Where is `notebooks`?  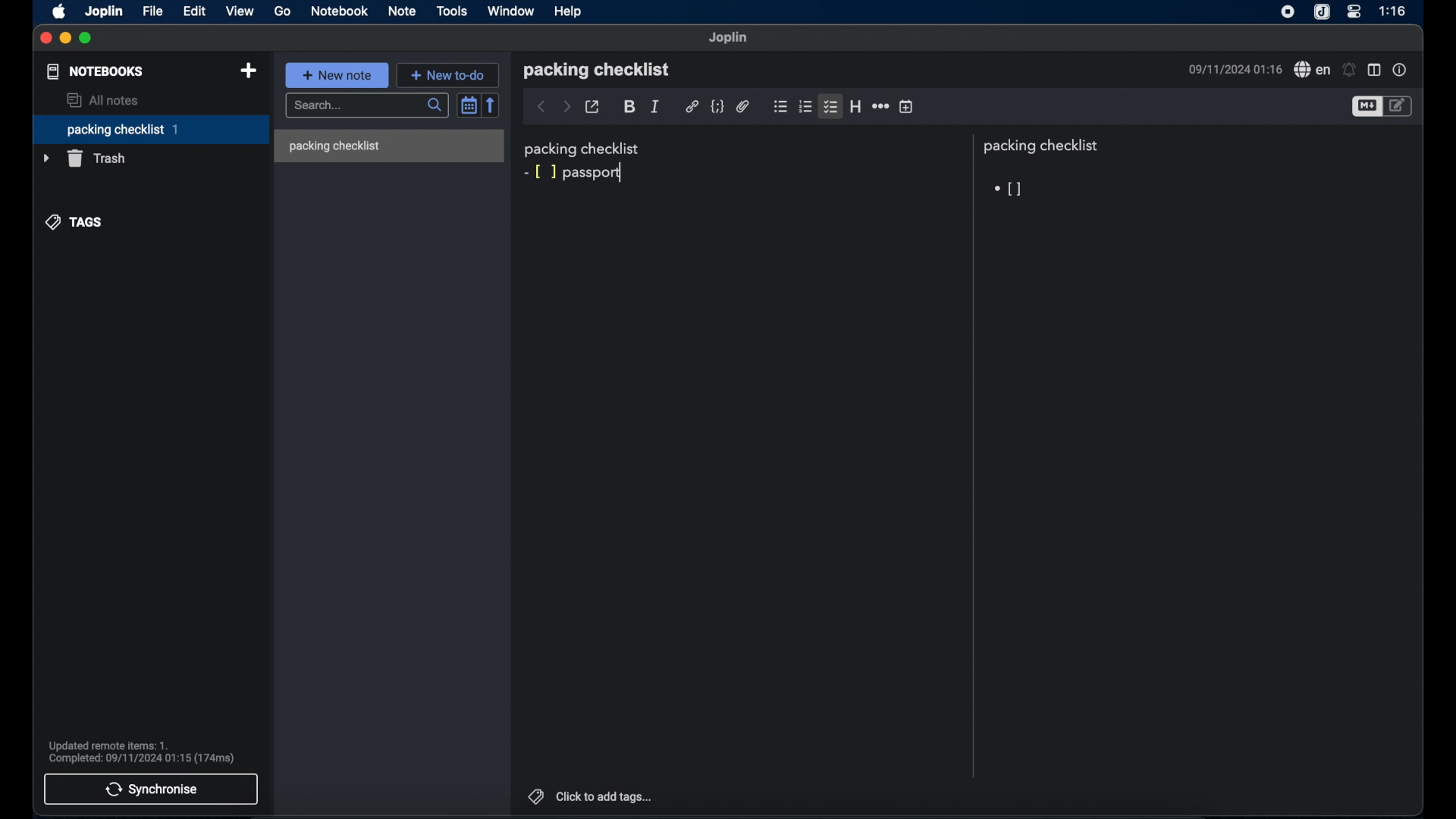
notebooks is located at coordinates (95, 71).